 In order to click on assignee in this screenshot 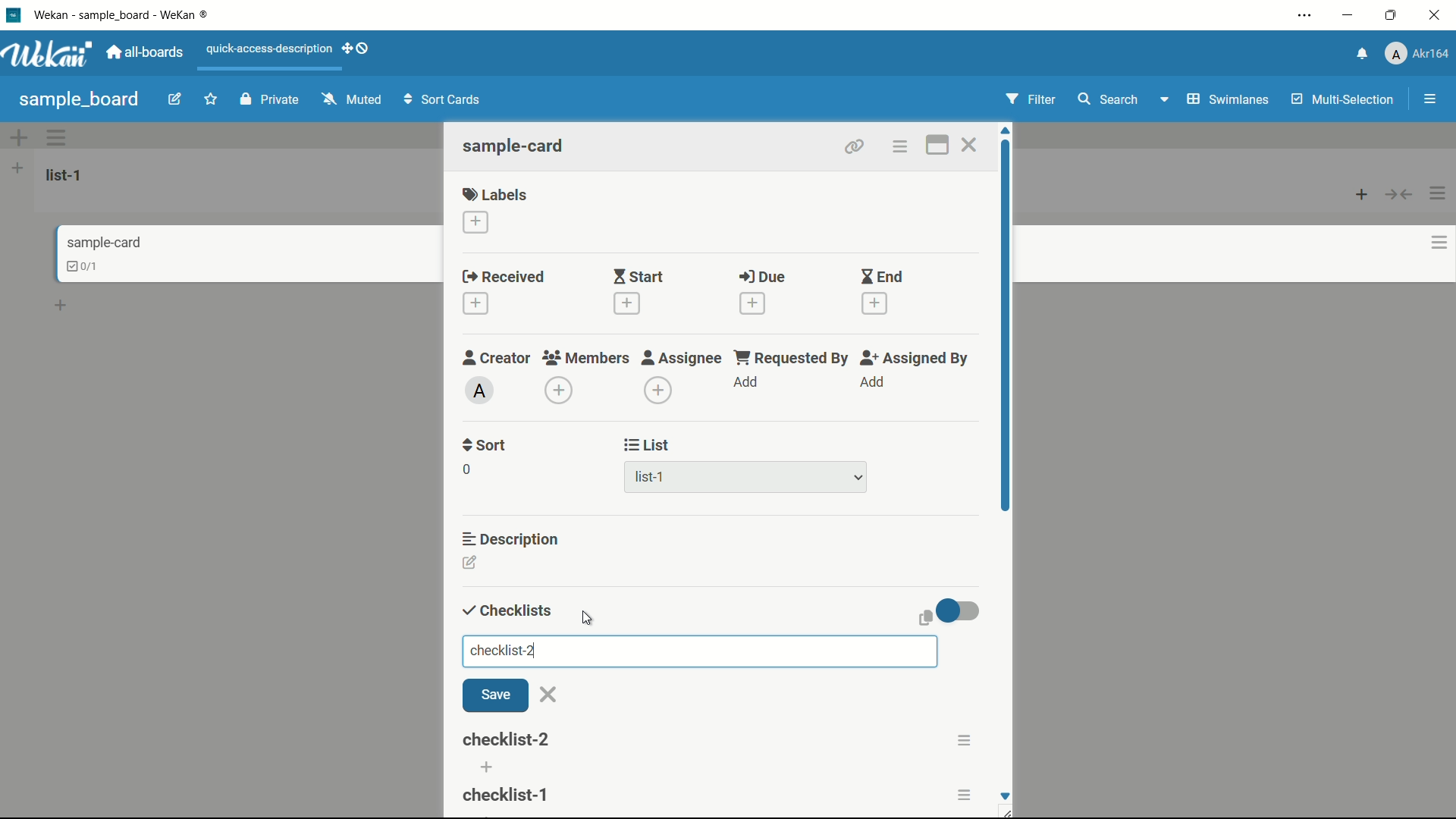, I will do `click(682, 358)`.